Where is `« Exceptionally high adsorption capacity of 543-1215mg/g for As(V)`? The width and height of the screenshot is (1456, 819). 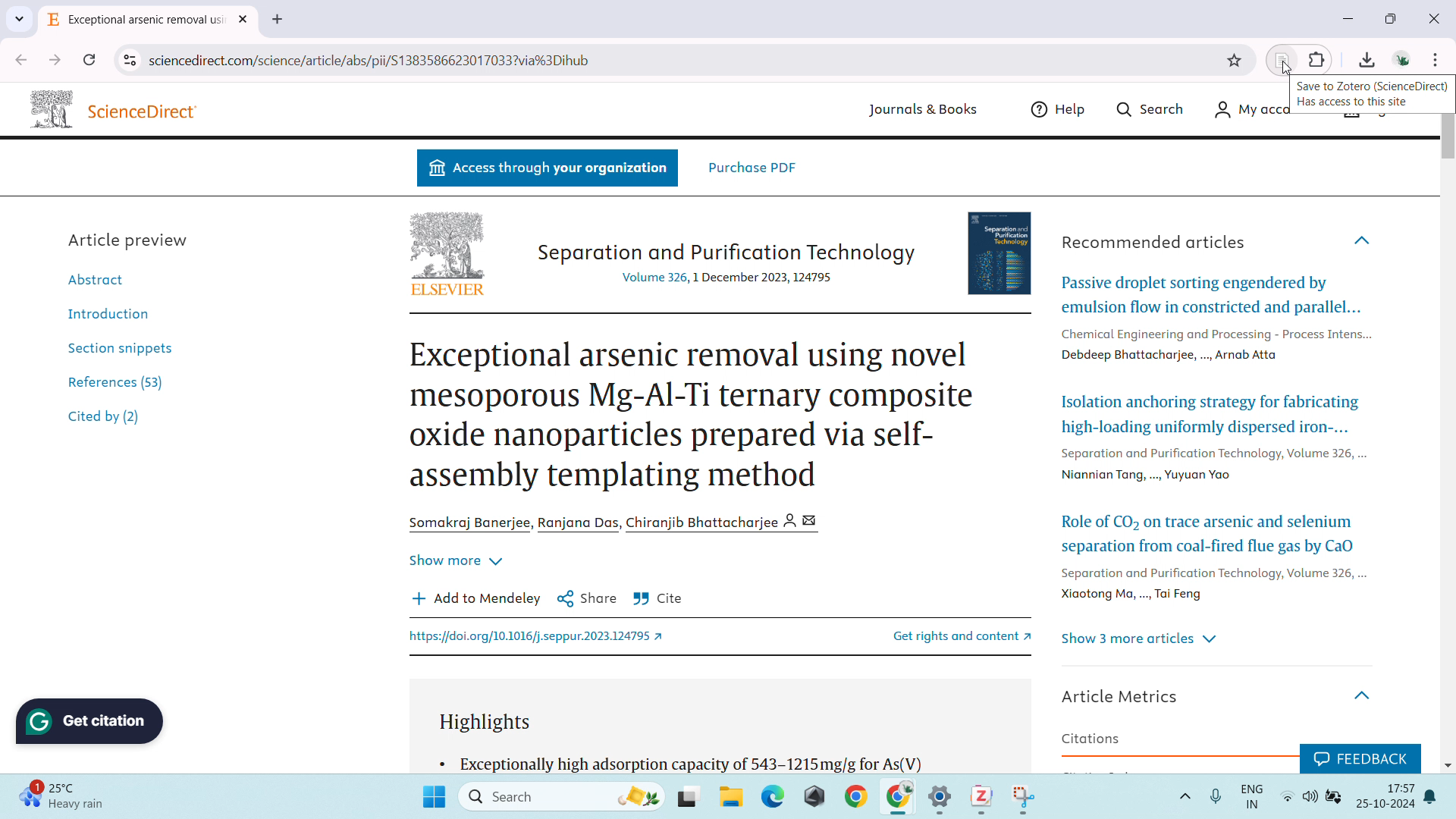
« Exceptionally high adsorption capacity of 543-1215mg/g for As(V) is located at coordinates (683, 762).